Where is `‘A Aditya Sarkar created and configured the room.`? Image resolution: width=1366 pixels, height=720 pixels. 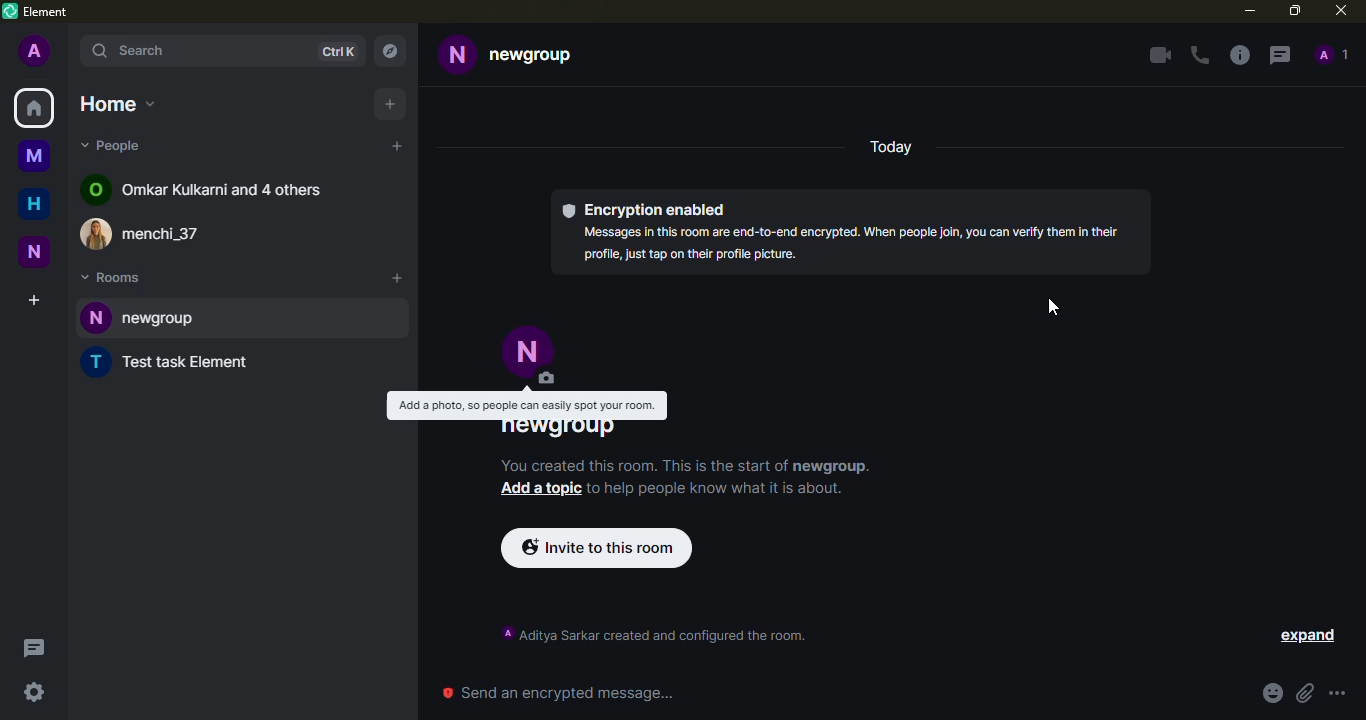 ‘A Aditya Sarkar created and configured the room. is located at coordinates (653, 634).